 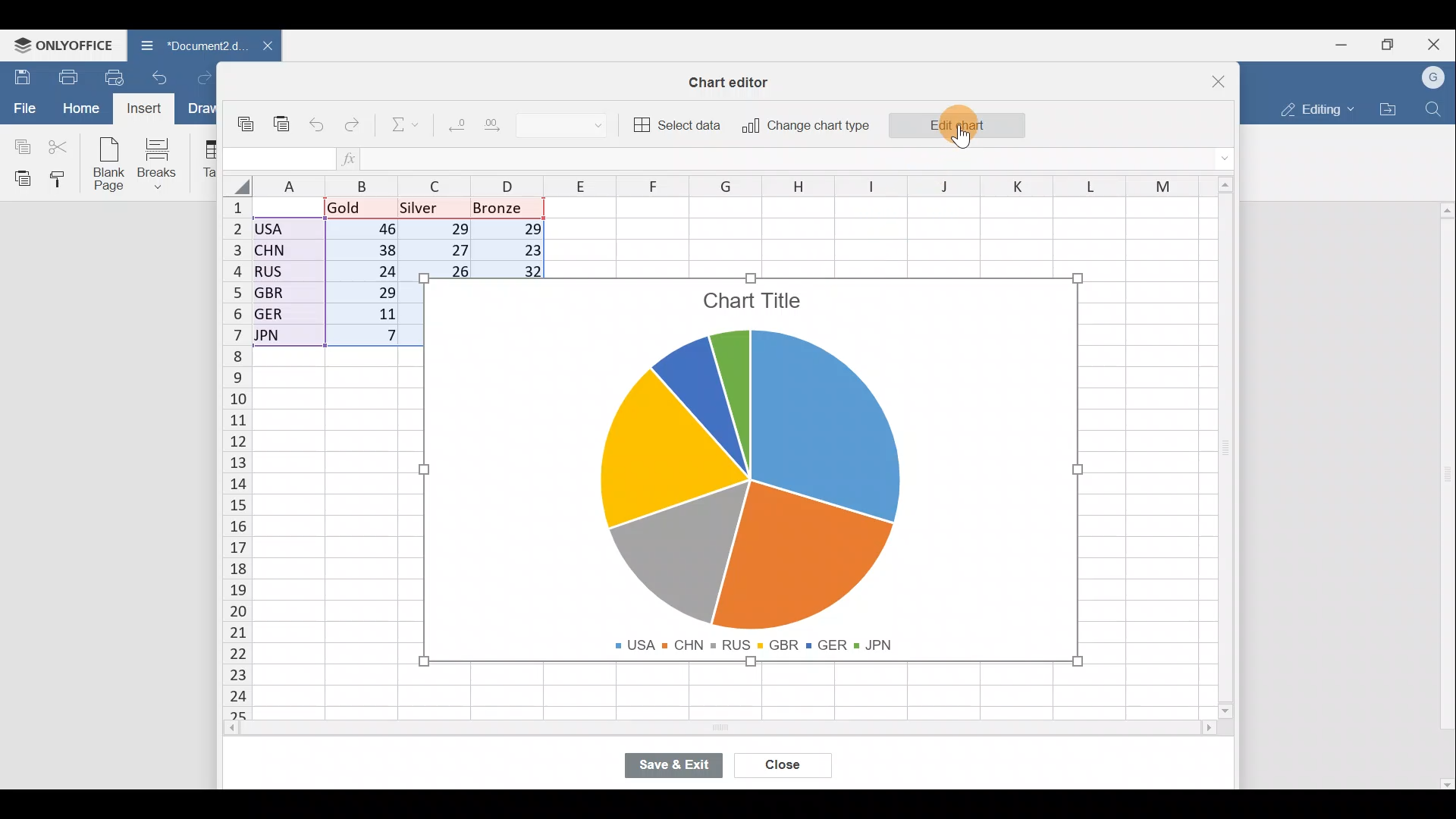 I want to click on Summation, so click(x=406, y=122).